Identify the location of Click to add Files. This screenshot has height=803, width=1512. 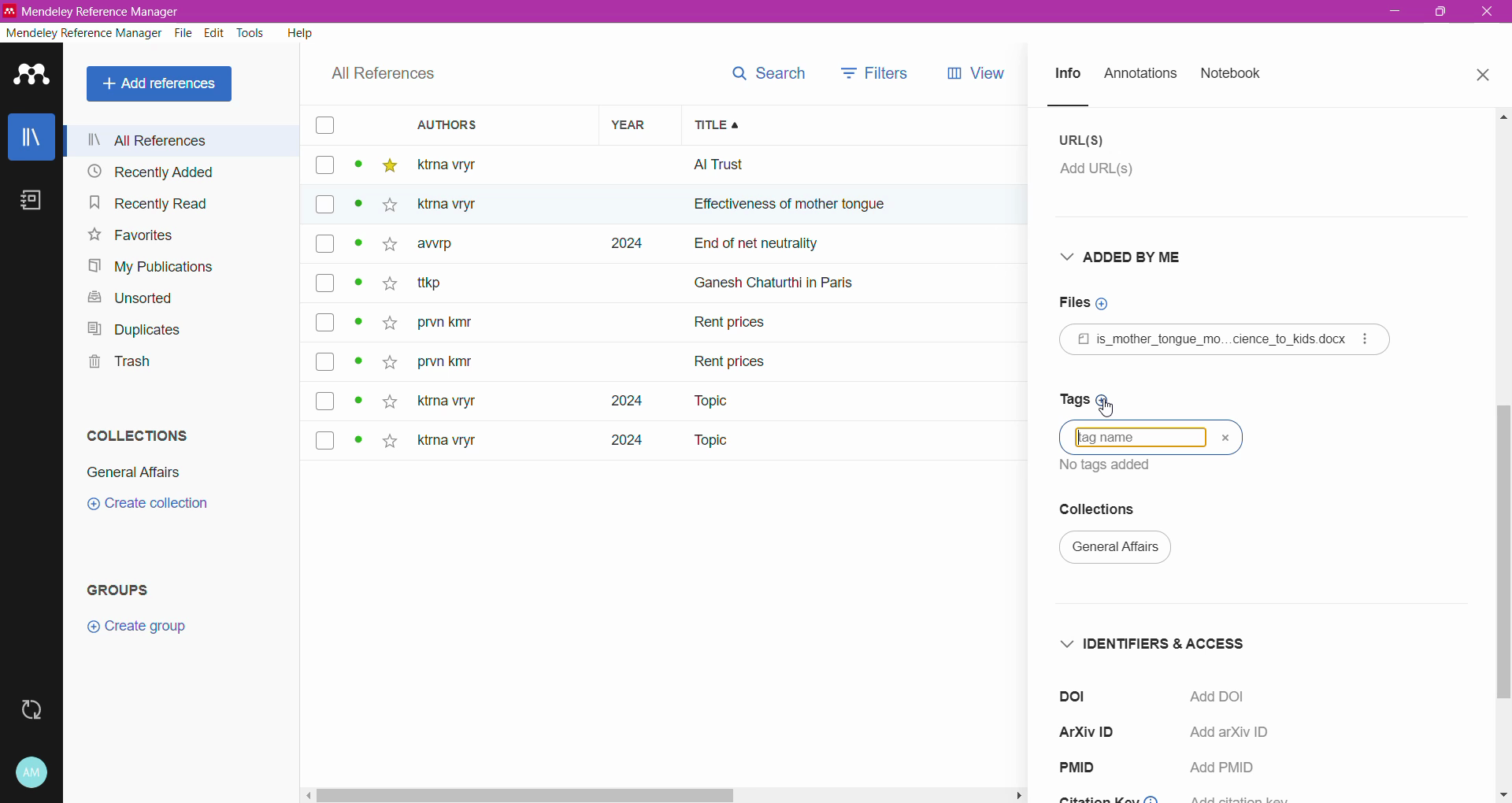
(1092, 303).